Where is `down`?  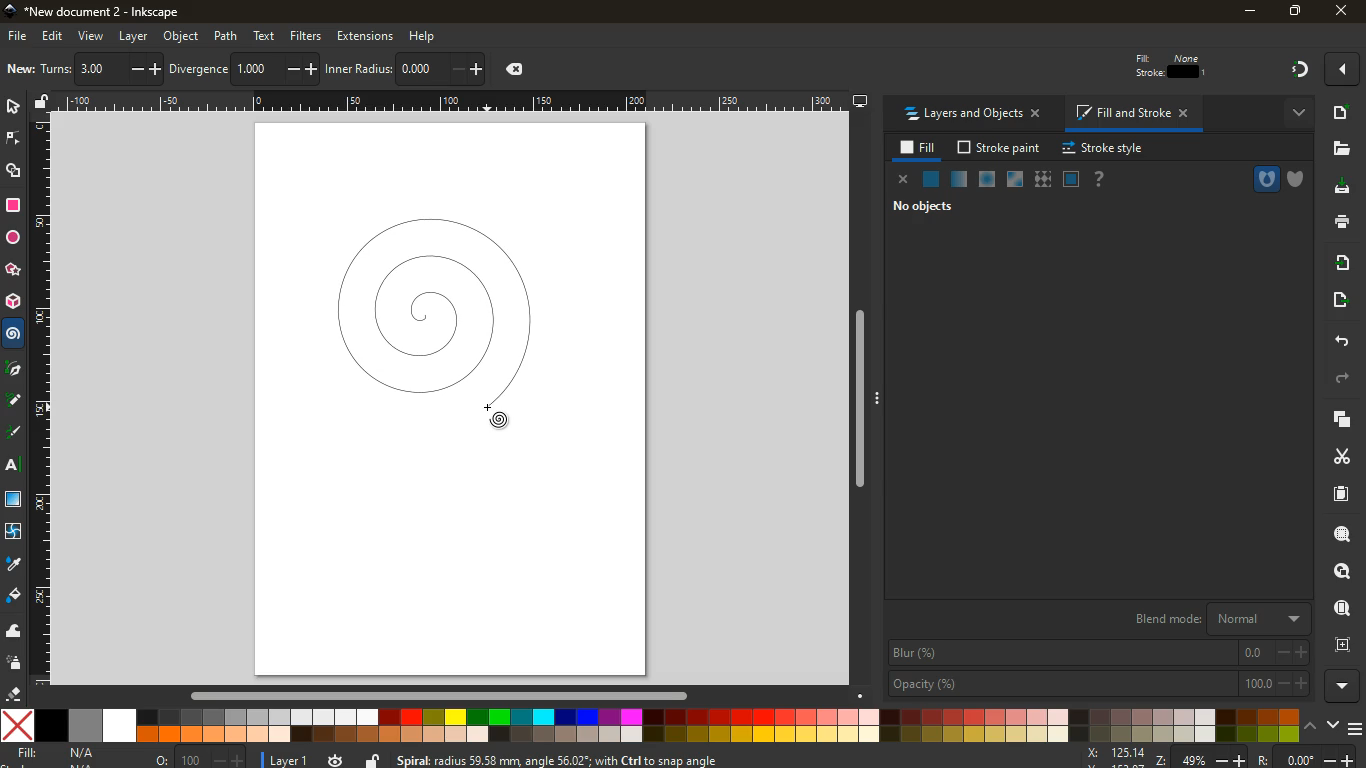 down is located at coordinates (1335, 726).